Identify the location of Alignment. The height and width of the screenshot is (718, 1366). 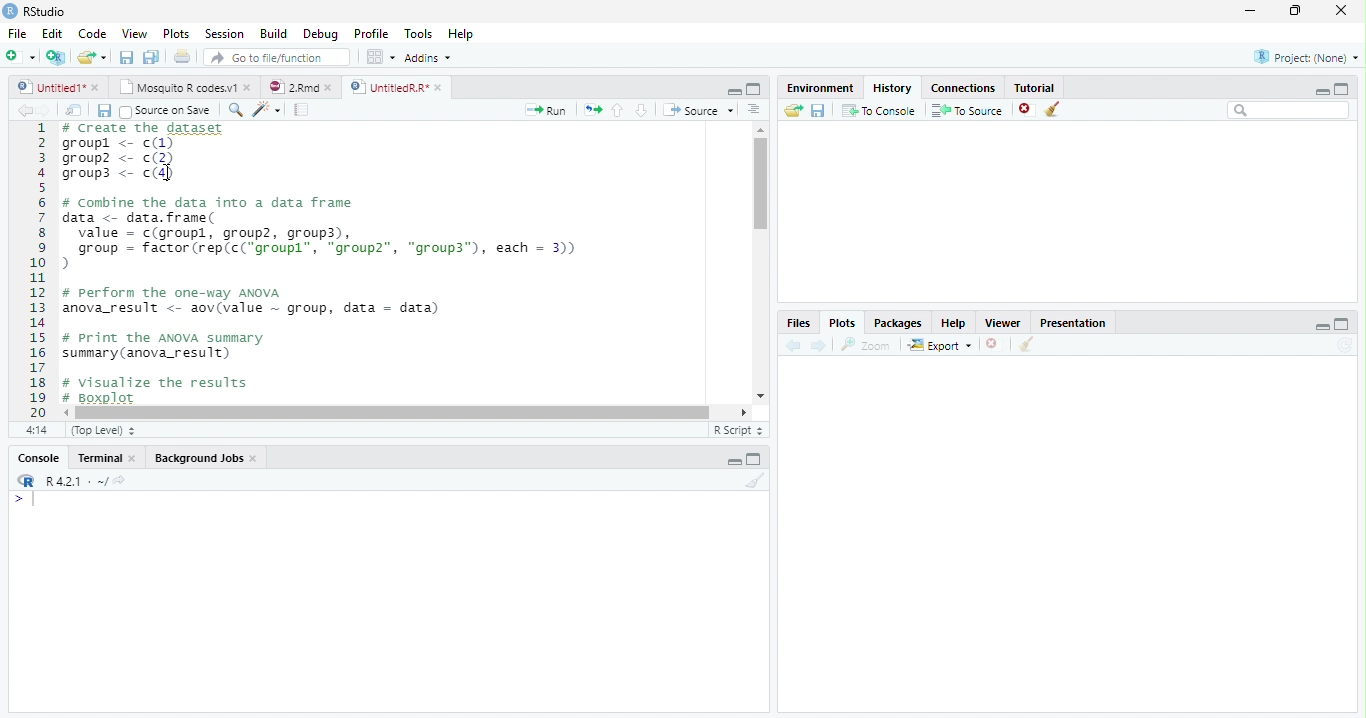
(753, 111).